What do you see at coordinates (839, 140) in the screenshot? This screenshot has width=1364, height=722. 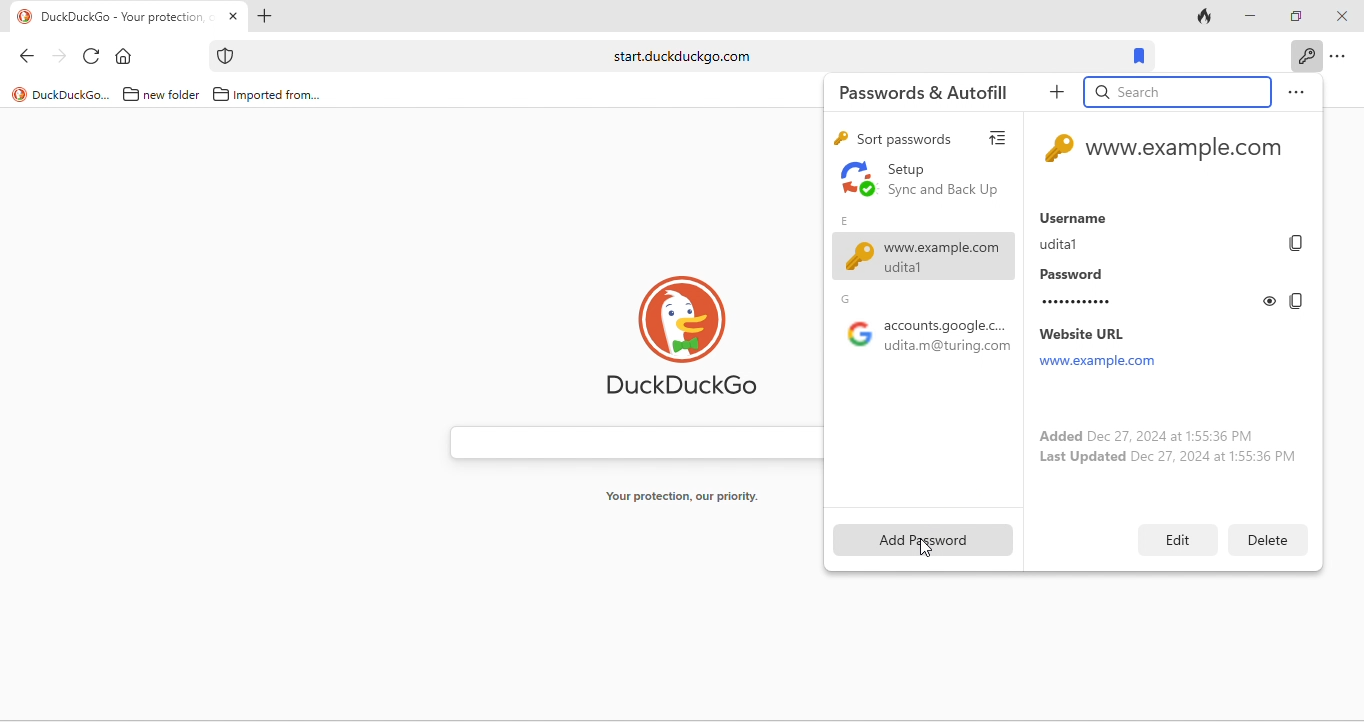 I see `key` at bounding box center [839, 140].